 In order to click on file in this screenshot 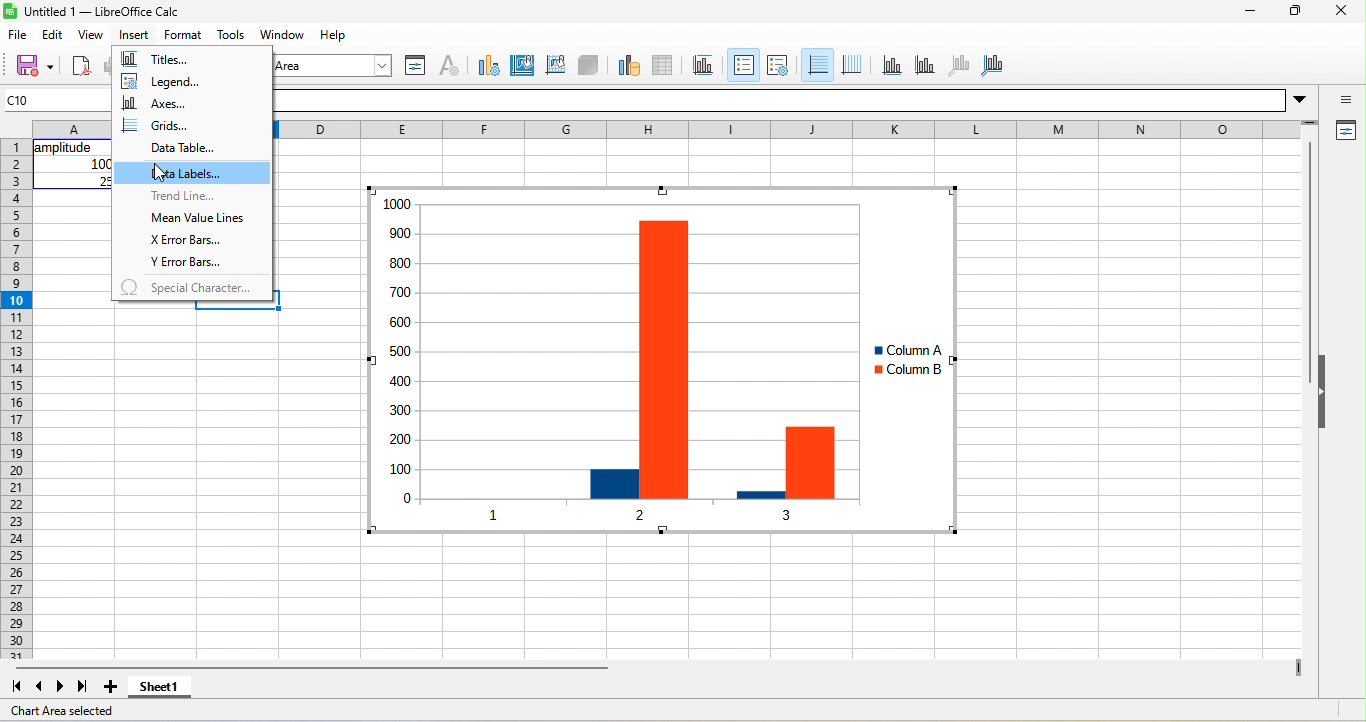, I will do `click(19, 36)`.